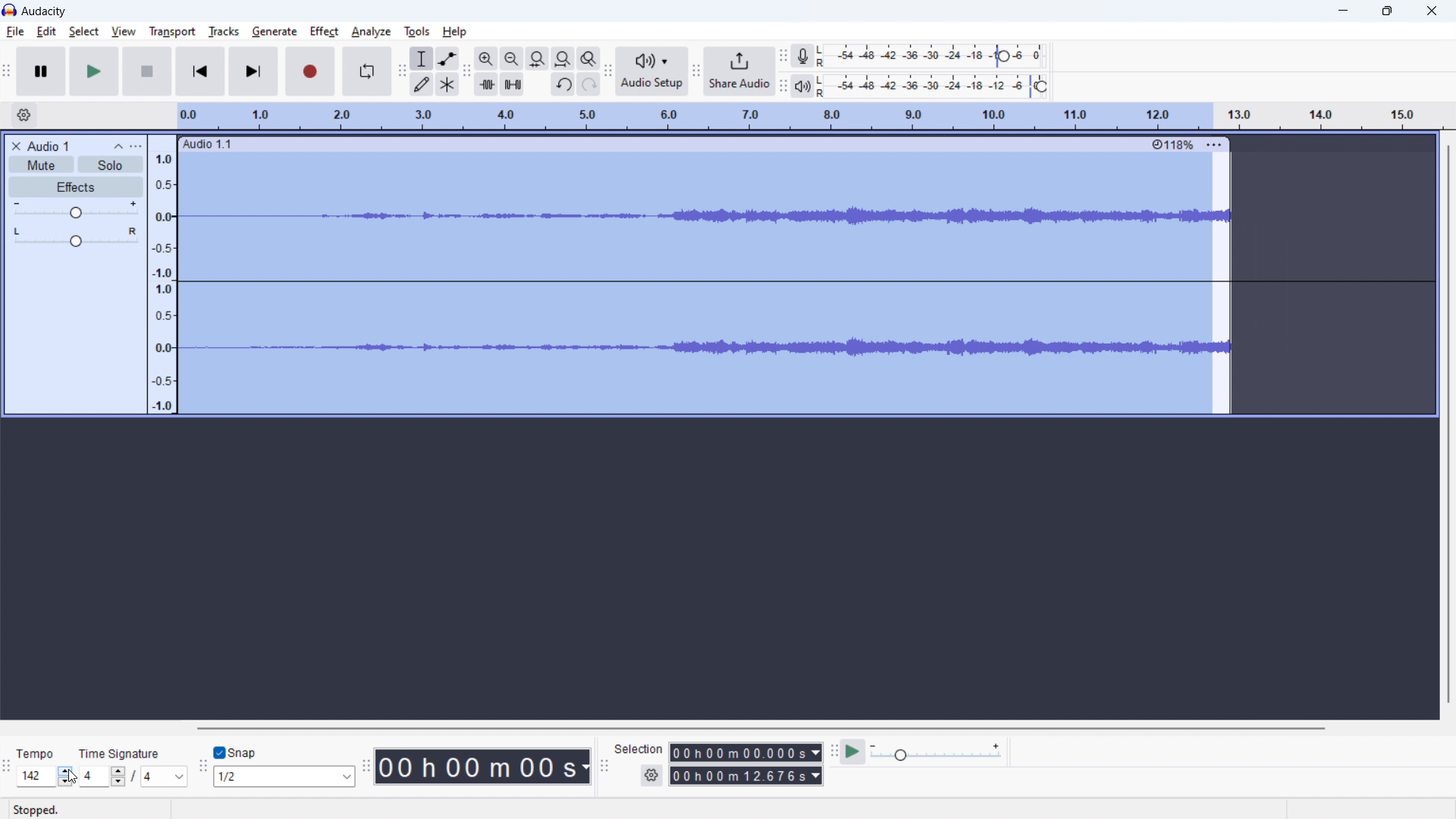  I want to click on playback speed, so click(938, 753).